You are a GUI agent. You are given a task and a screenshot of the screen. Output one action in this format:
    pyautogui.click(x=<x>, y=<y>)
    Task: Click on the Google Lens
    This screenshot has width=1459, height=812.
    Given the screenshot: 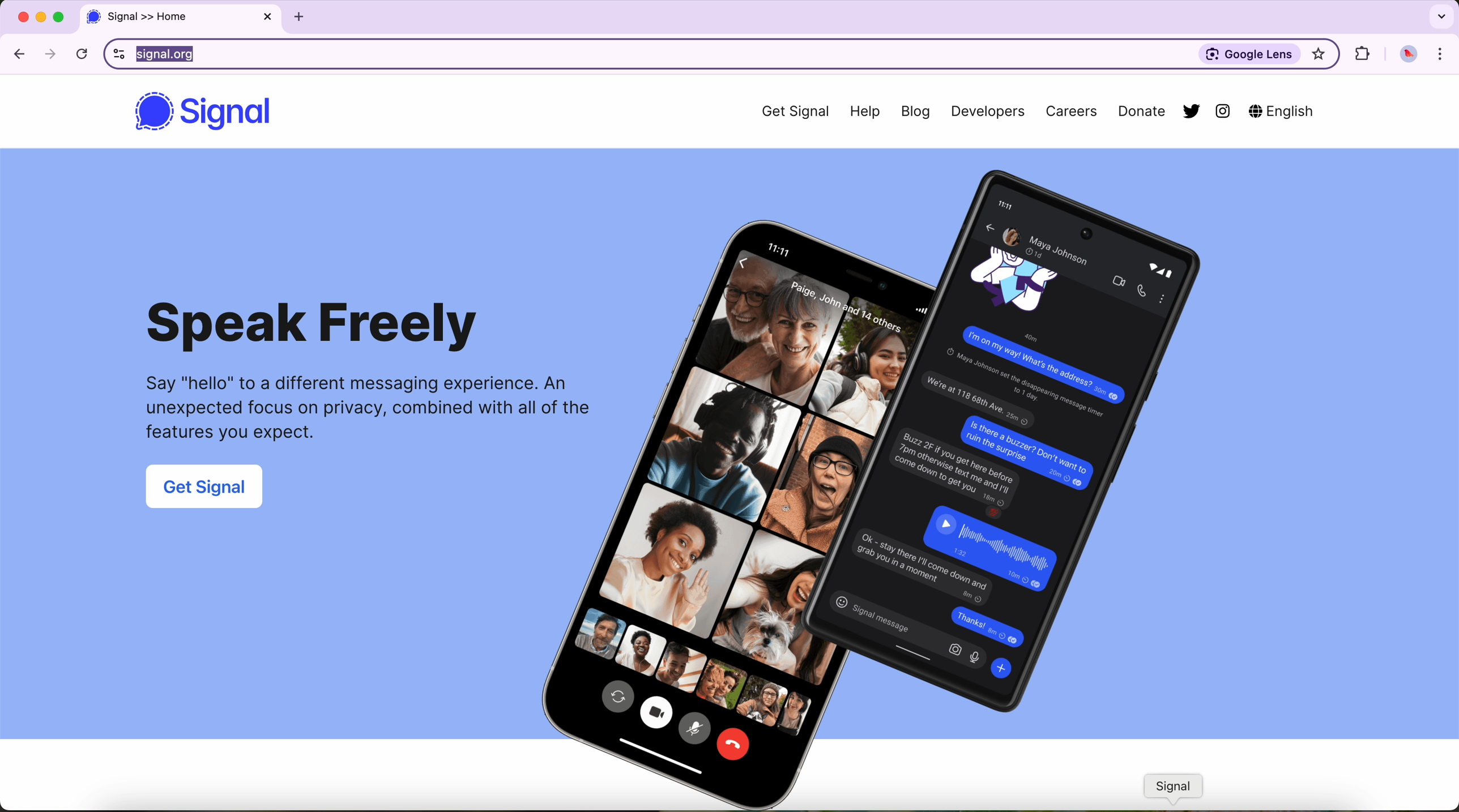 What is the action you would take?
    pyautogui.click(x=1248, y=54)
    